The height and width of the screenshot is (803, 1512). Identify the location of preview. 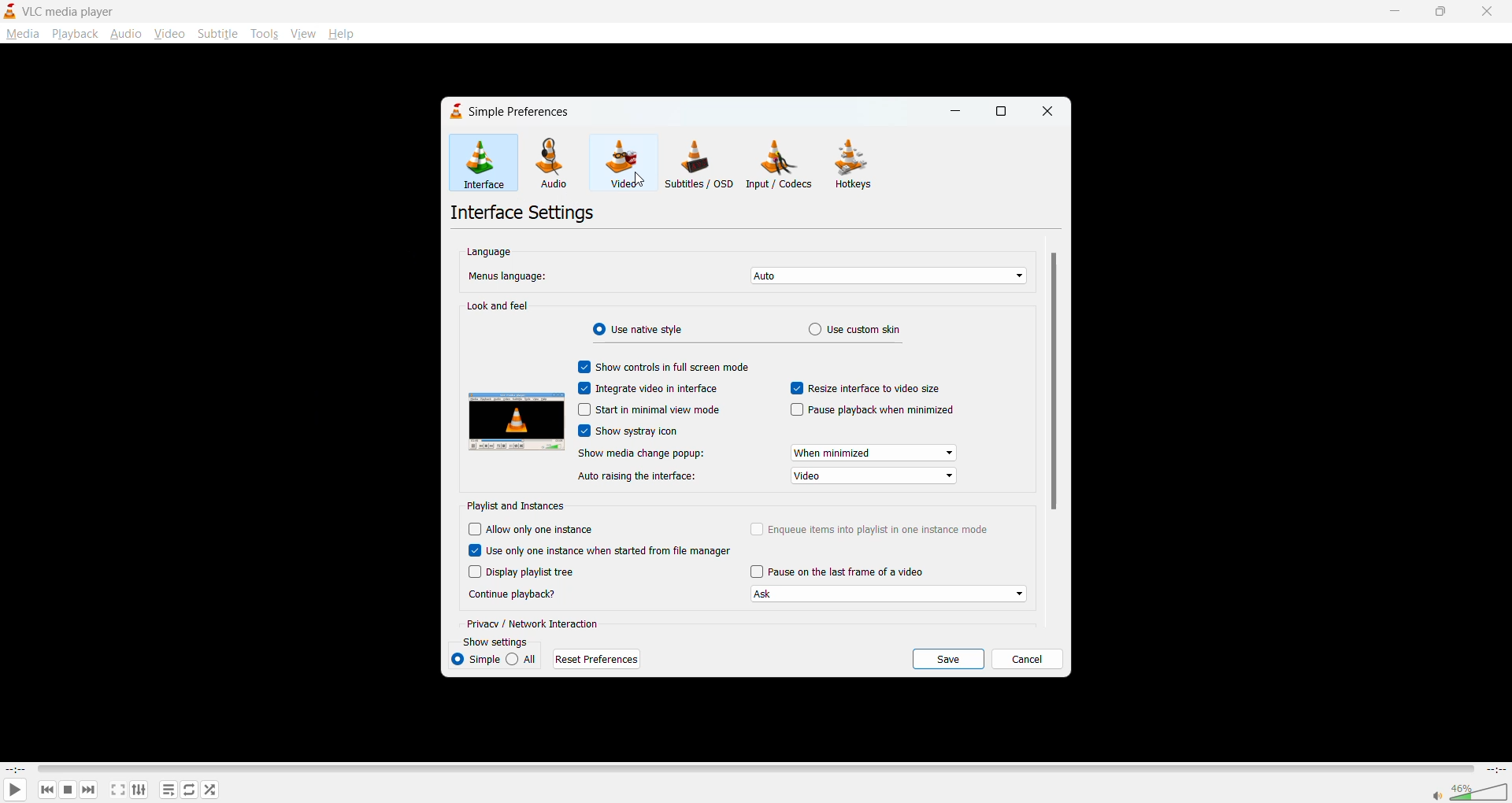
(513, 424).